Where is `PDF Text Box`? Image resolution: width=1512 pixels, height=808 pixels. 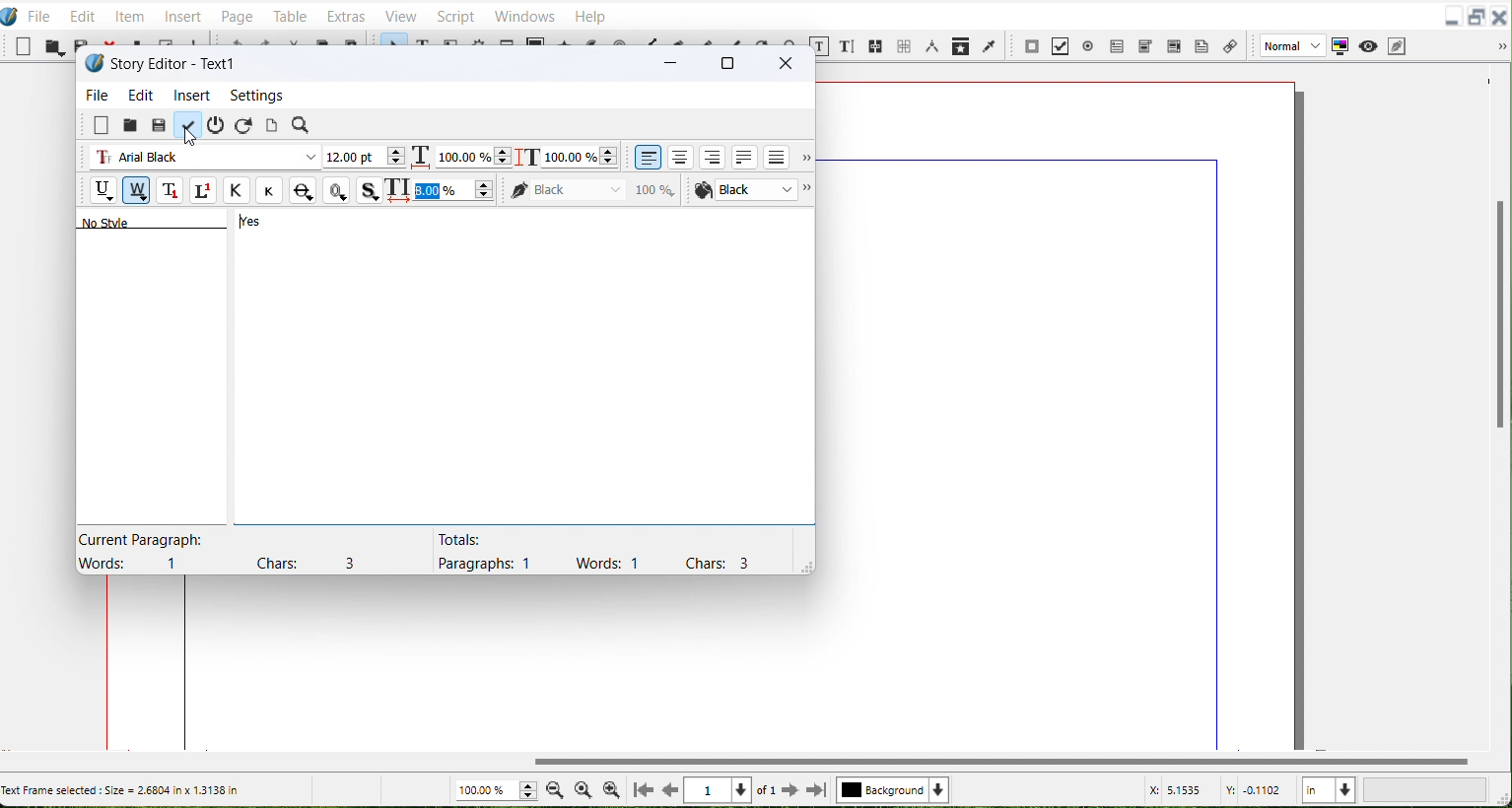 PDF Text Box is located at coordinates (1174, 44).